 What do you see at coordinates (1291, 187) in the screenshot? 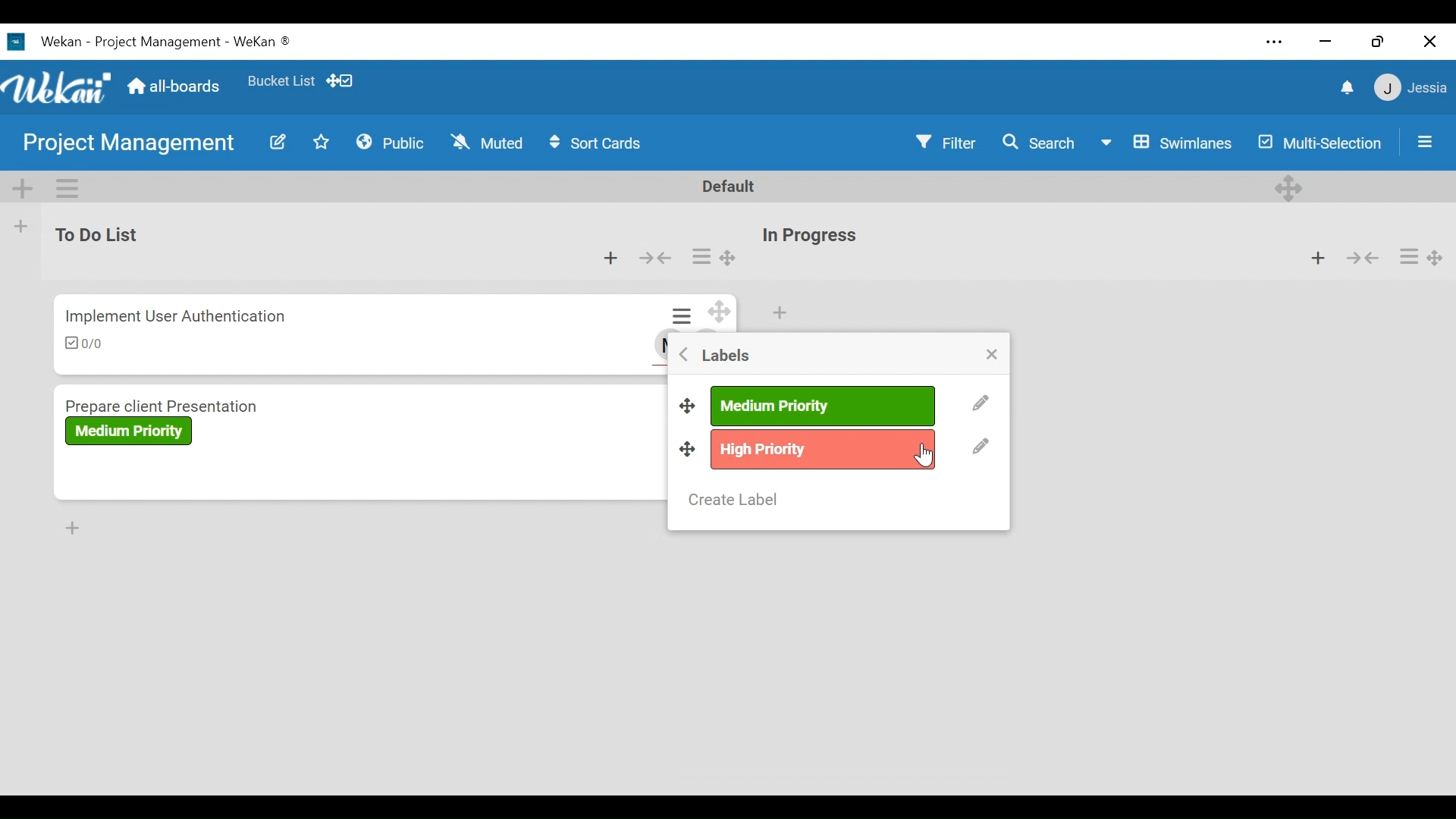
I see `Desktop drag handles` at bounding box center [1291, 187].